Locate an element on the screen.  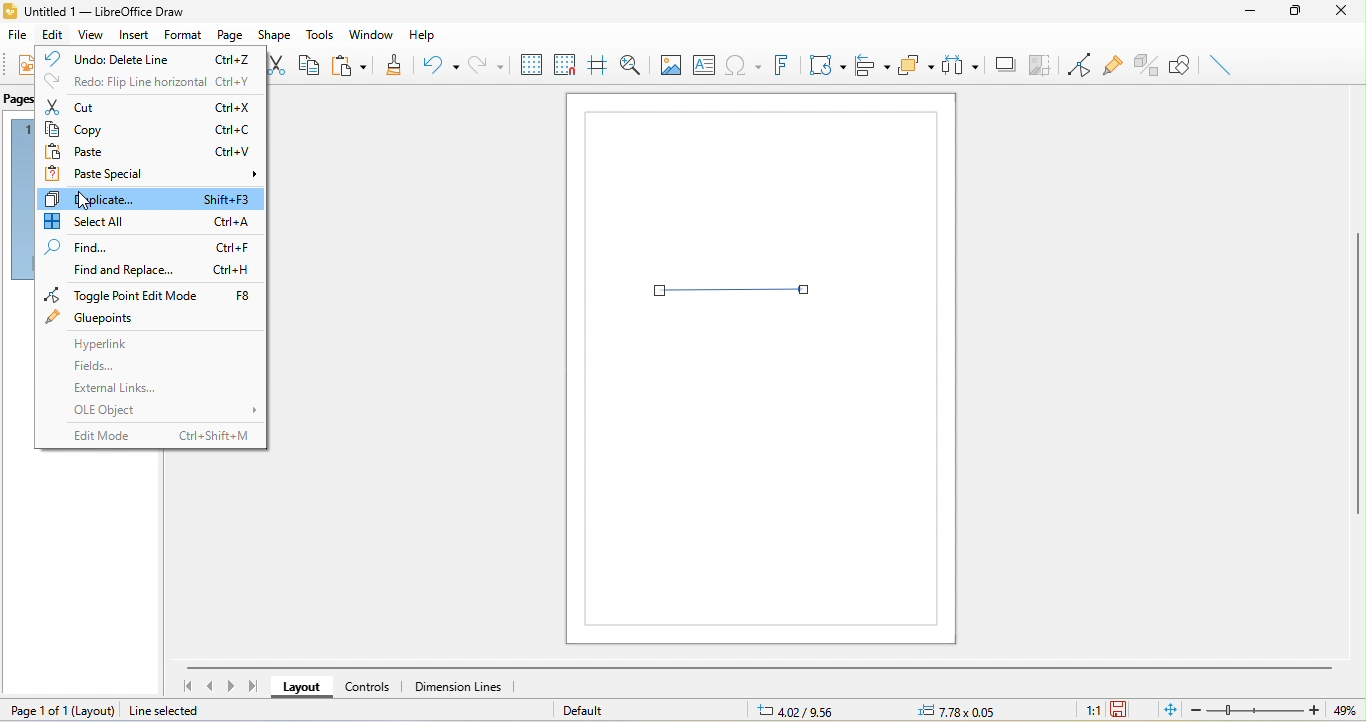
font work text is located at coordinates (780, 65).